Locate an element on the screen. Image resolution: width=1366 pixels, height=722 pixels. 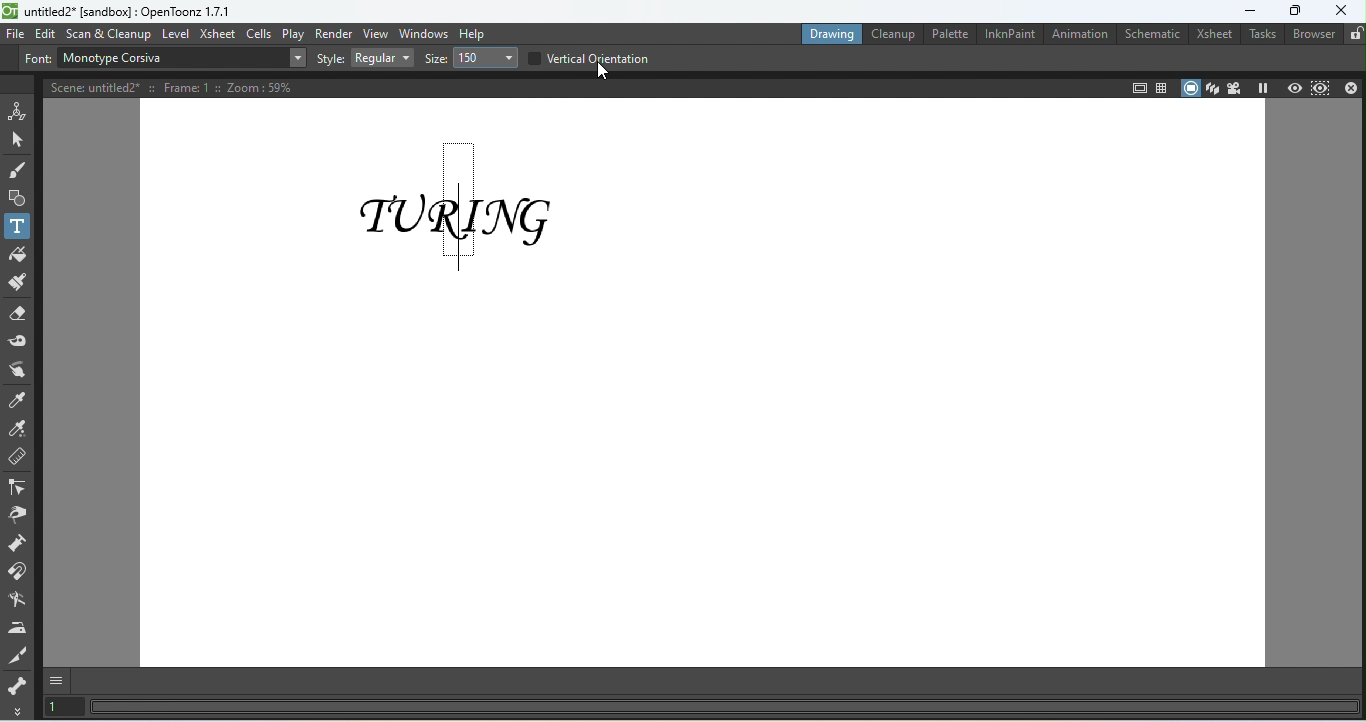
Size is located at coordinates (432, 60).